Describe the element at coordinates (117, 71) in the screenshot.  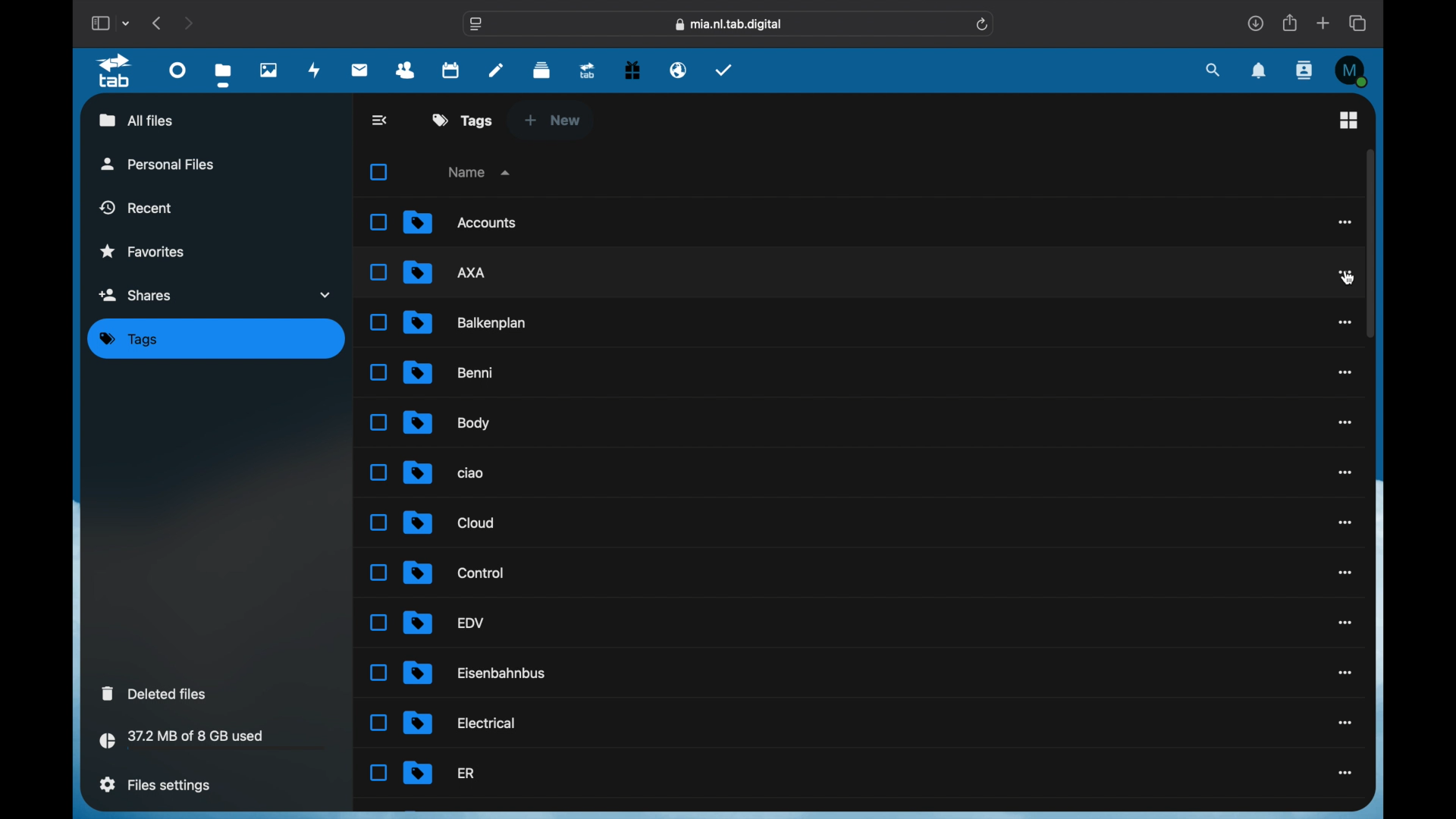
I see `tab` at that location.